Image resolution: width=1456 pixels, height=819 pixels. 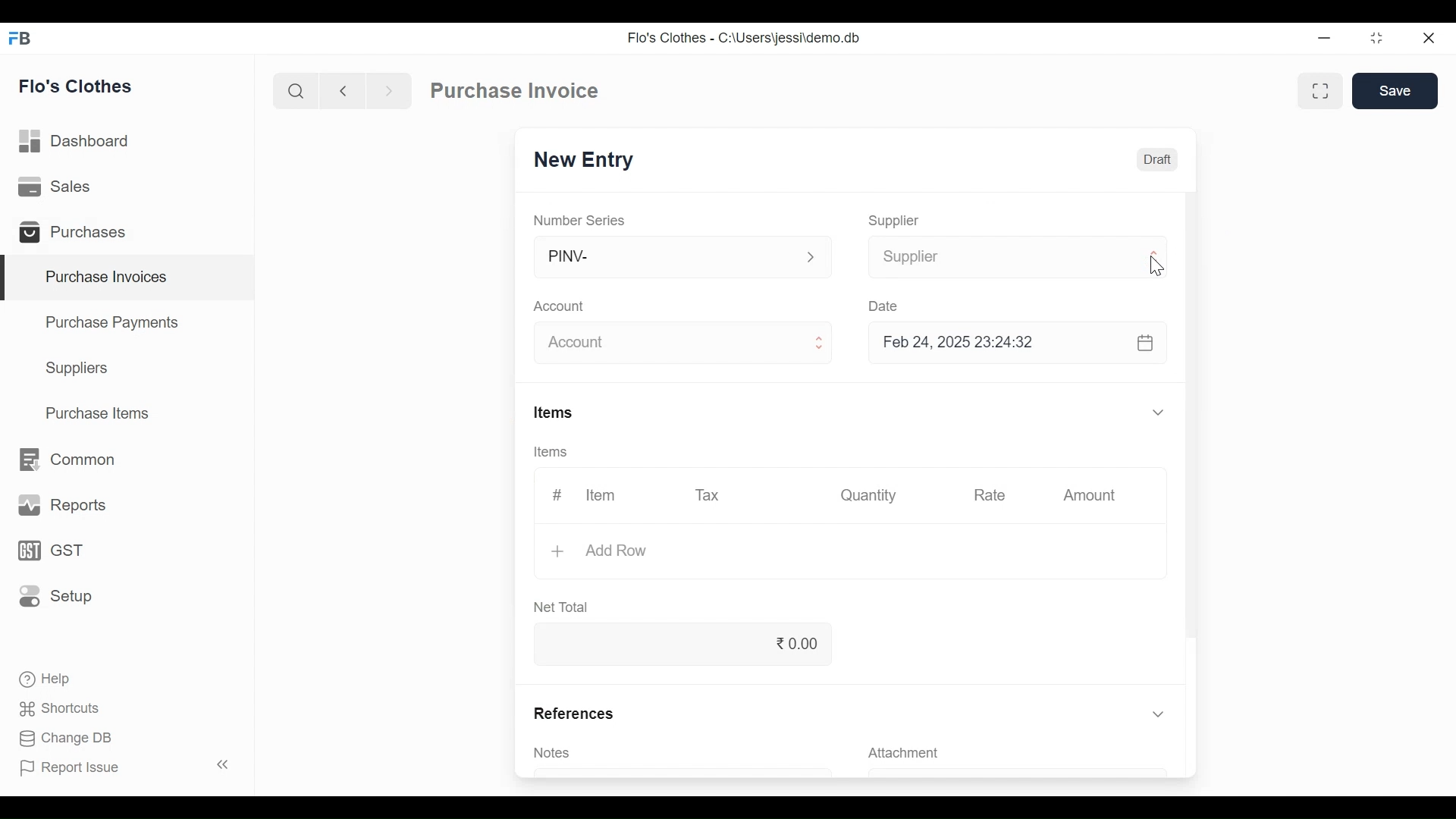 I want to click on Navigate back, so click(x=340, y=91).